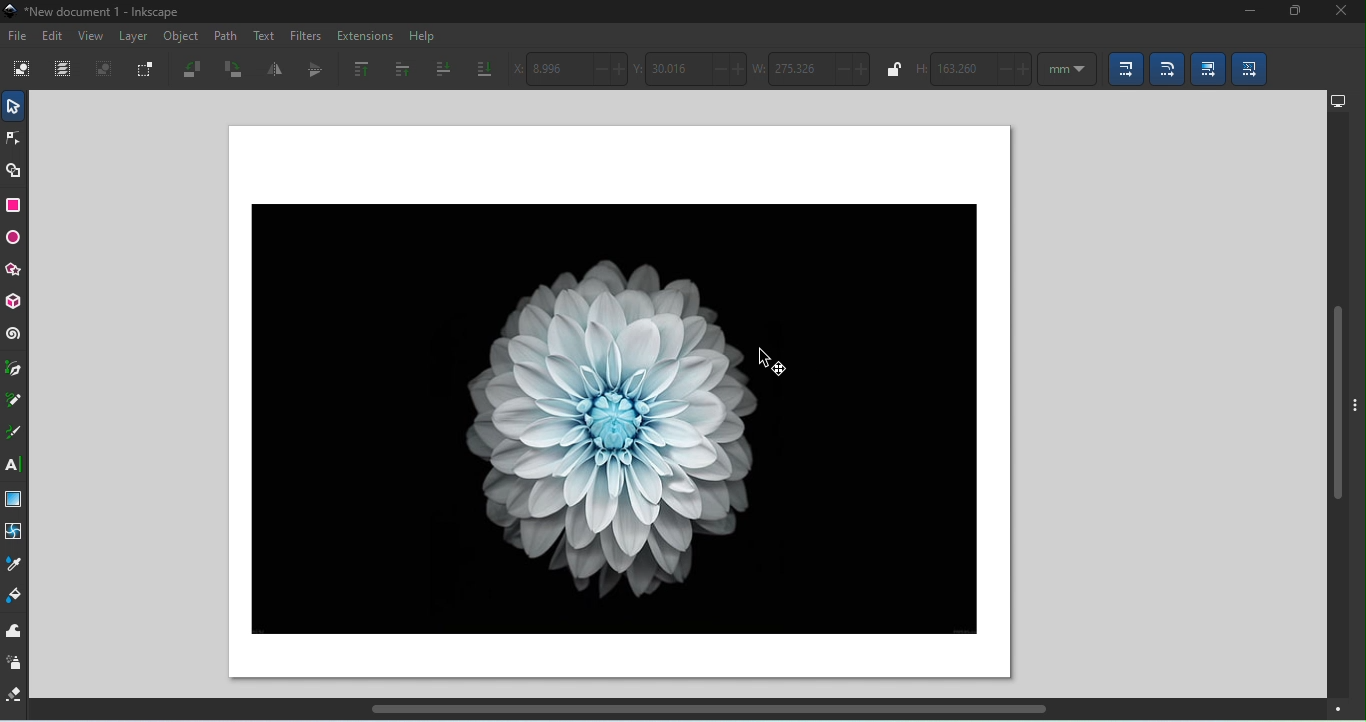 The width and height of the screenshot is (1366, 722). What do you see at coordinates (691, 68) in the screenshot?
I see `Vertical coordinate of the selection` at bounding box center [691, 68].